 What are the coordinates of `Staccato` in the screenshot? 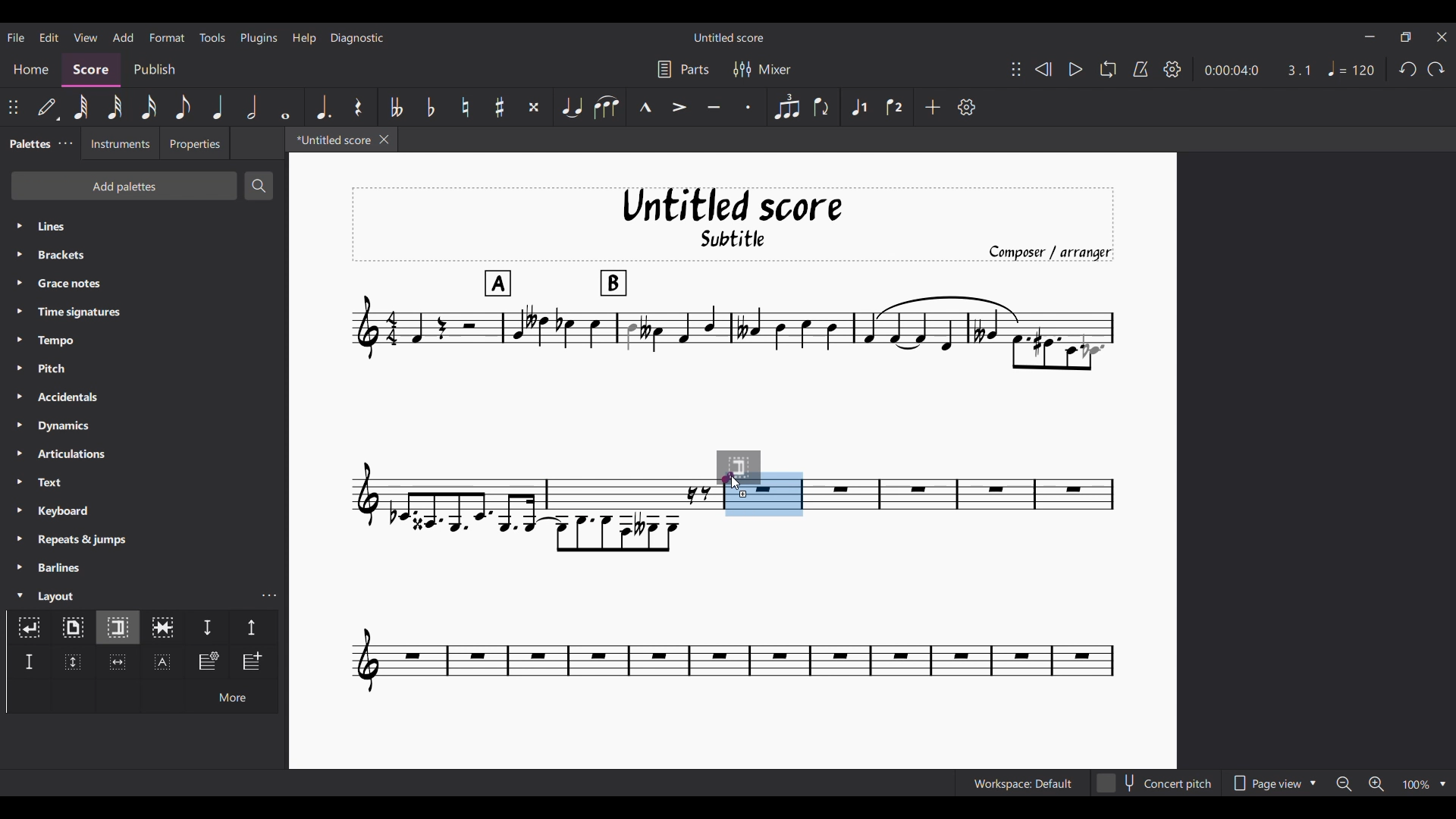 It's located at (748, 107).